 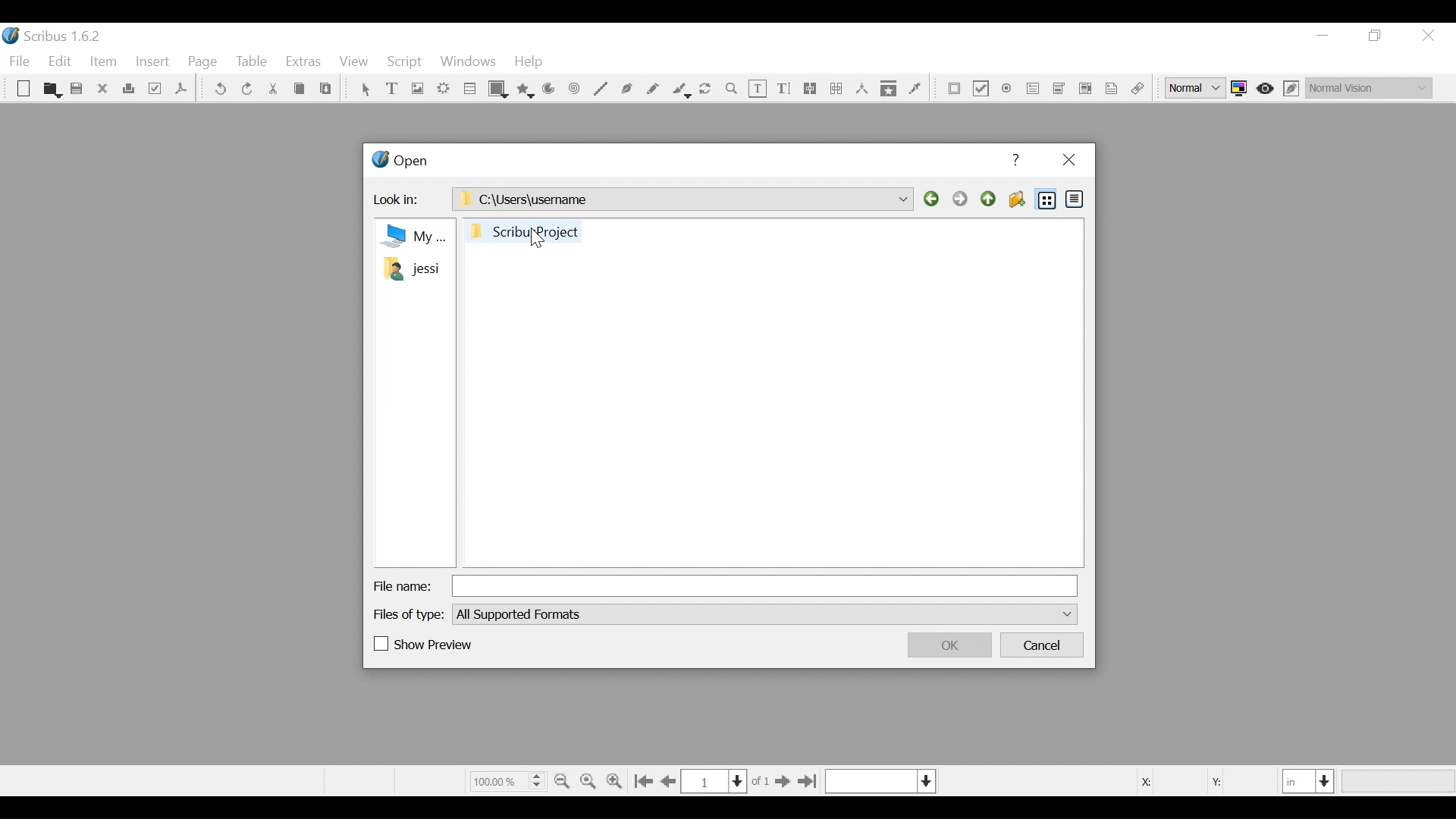 I want to click on Polygon, so click(x=526, y=89).